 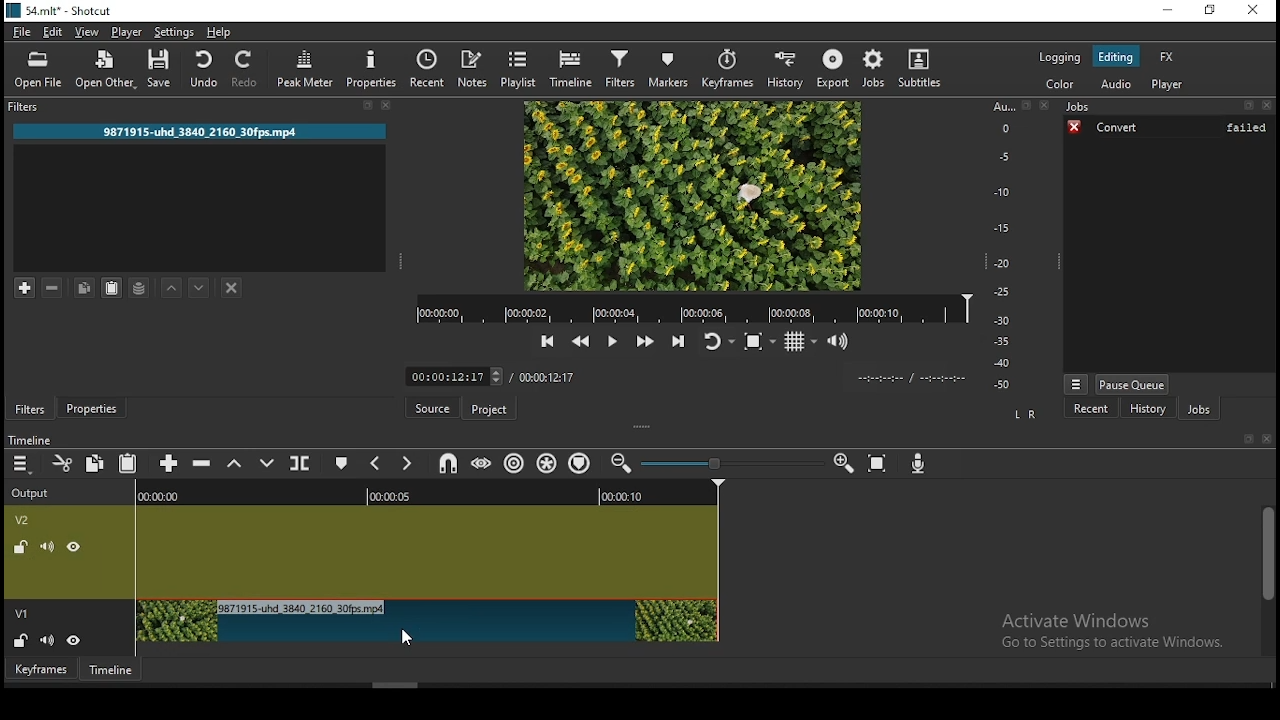 What do you see at coordinates (682, 343) in the screenshot?
I see `skip to the next point` at bounding box center [682, 343].